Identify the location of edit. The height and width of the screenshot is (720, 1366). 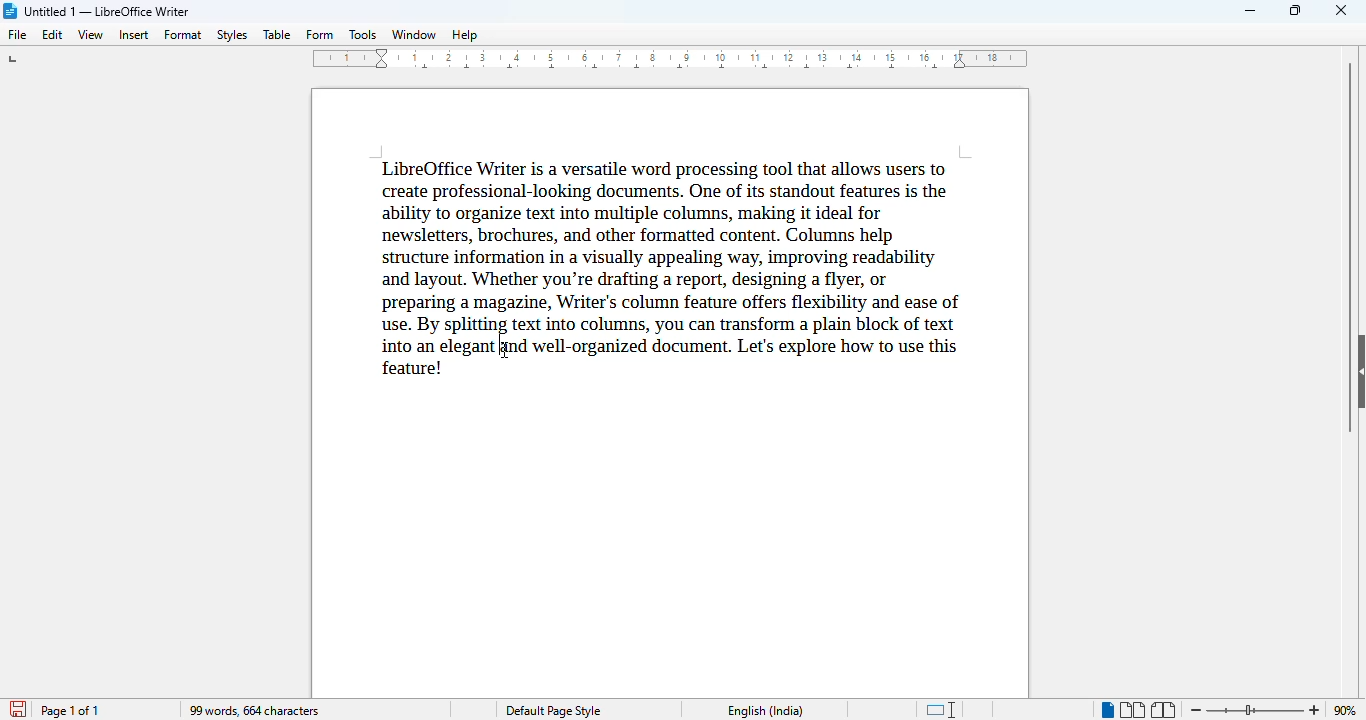
(54, 35).